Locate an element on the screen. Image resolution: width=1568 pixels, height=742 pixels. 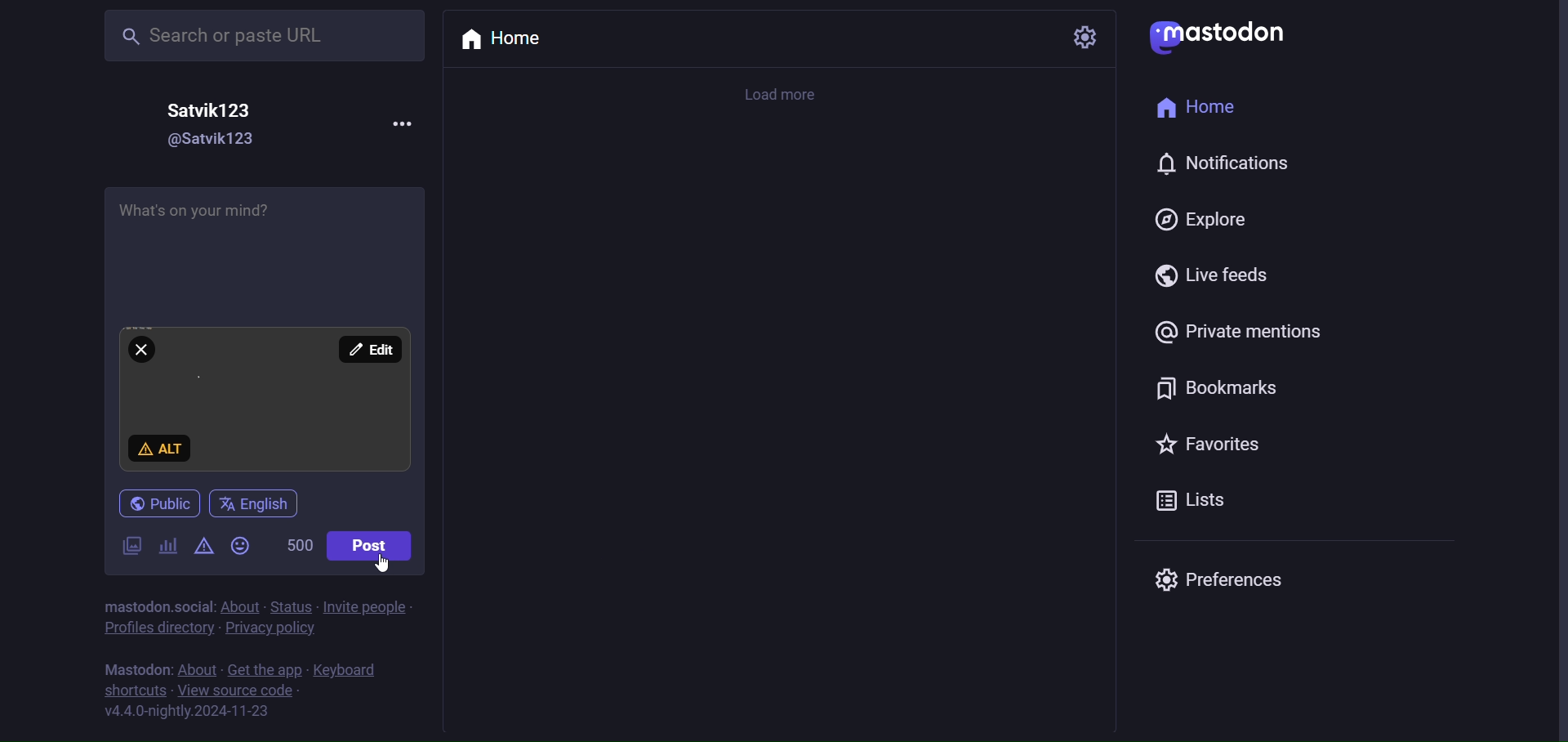
status is located at coordinates (290, 606).